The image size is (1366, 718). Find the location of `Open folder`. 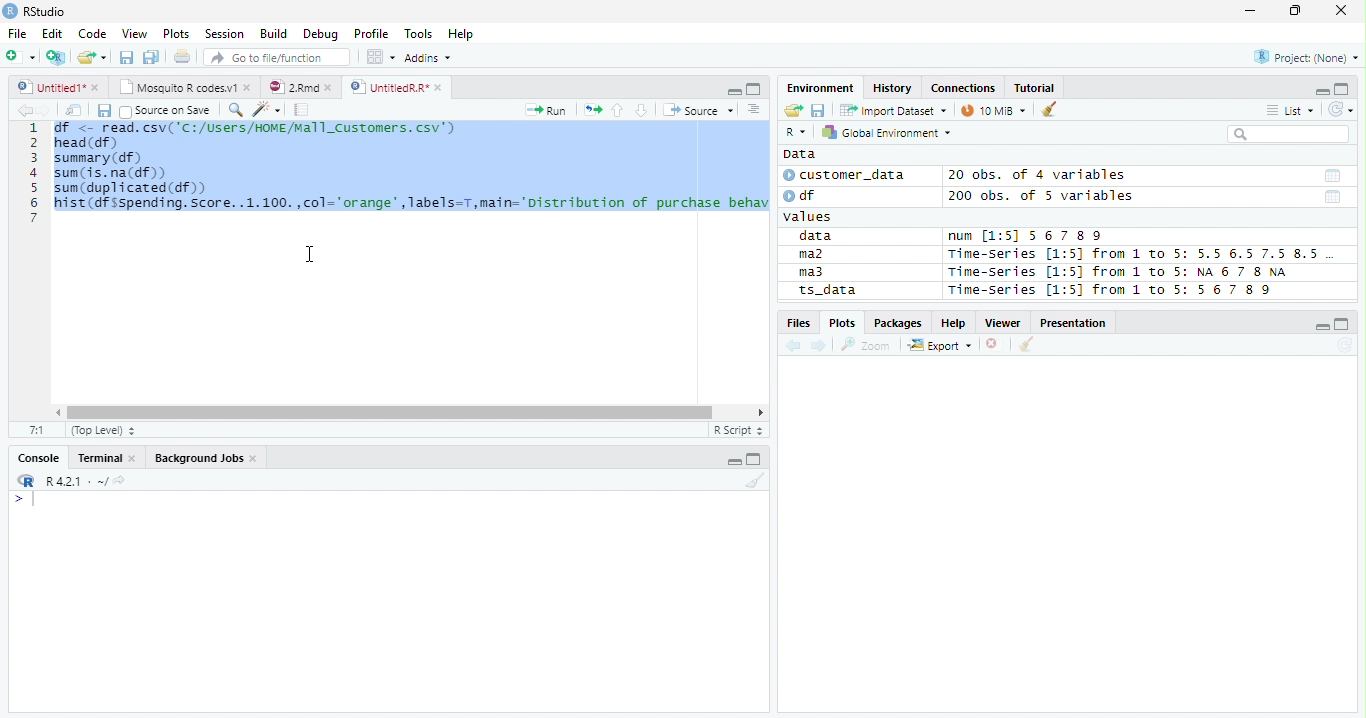

Open folder is located at coordinates (791, 111).